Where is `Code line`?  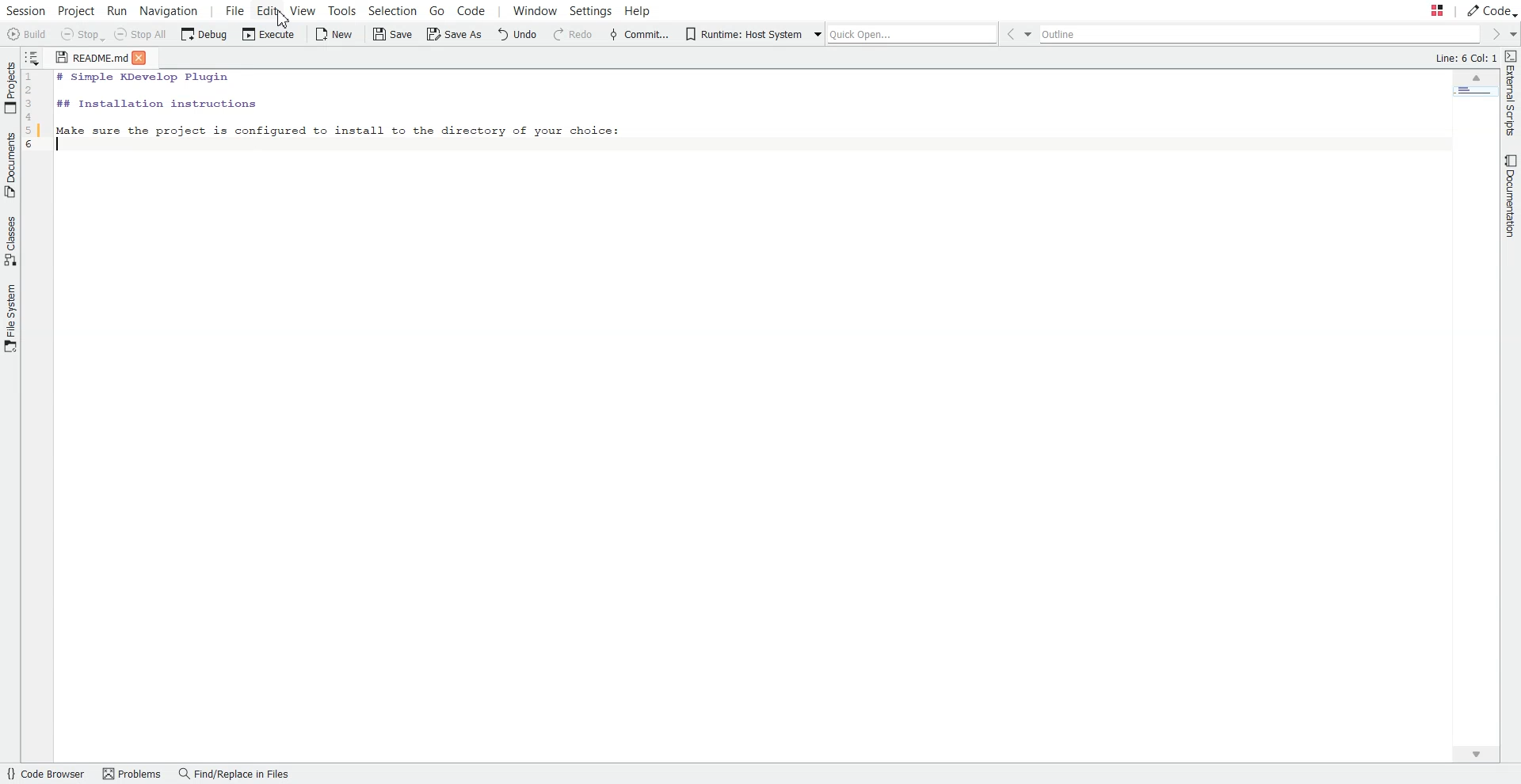
Code line is located at coordinates (36, 127).